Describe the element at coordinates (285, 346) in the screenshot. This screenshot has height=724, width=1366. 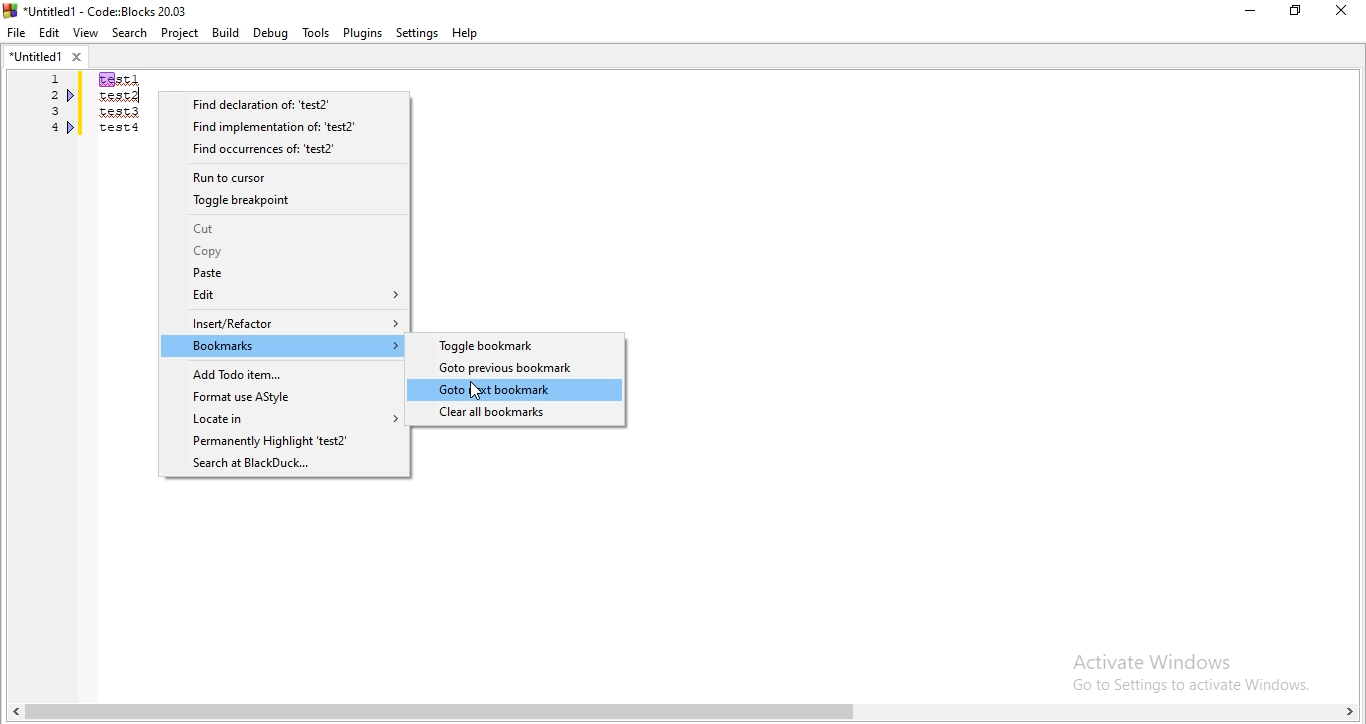
I see `Bookmarks` at that location.